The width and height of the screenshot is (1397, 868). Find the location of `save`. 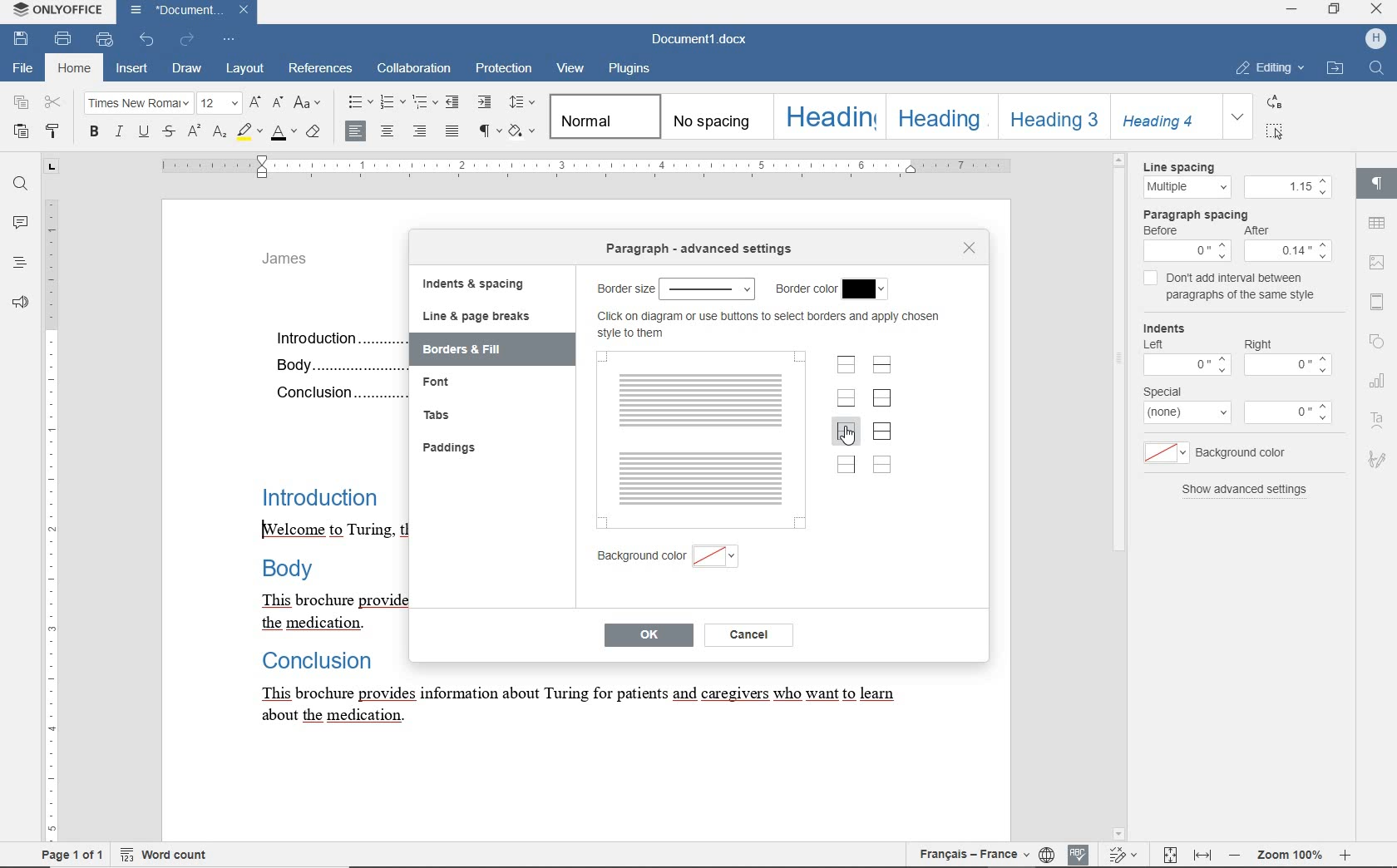

save is located at coordinates (23, 40).